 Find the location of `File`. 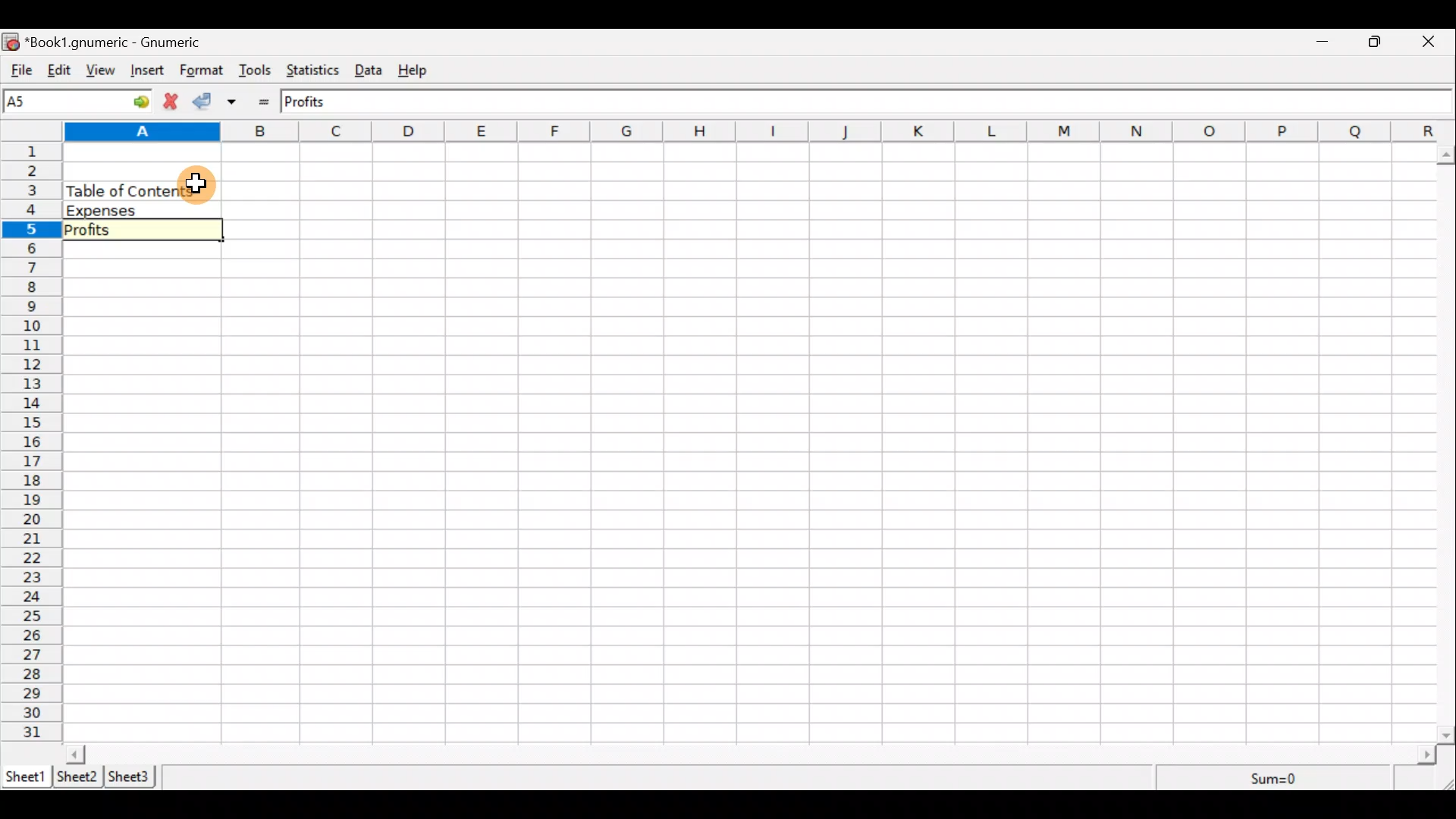

File is located at coordinates (19, 71).